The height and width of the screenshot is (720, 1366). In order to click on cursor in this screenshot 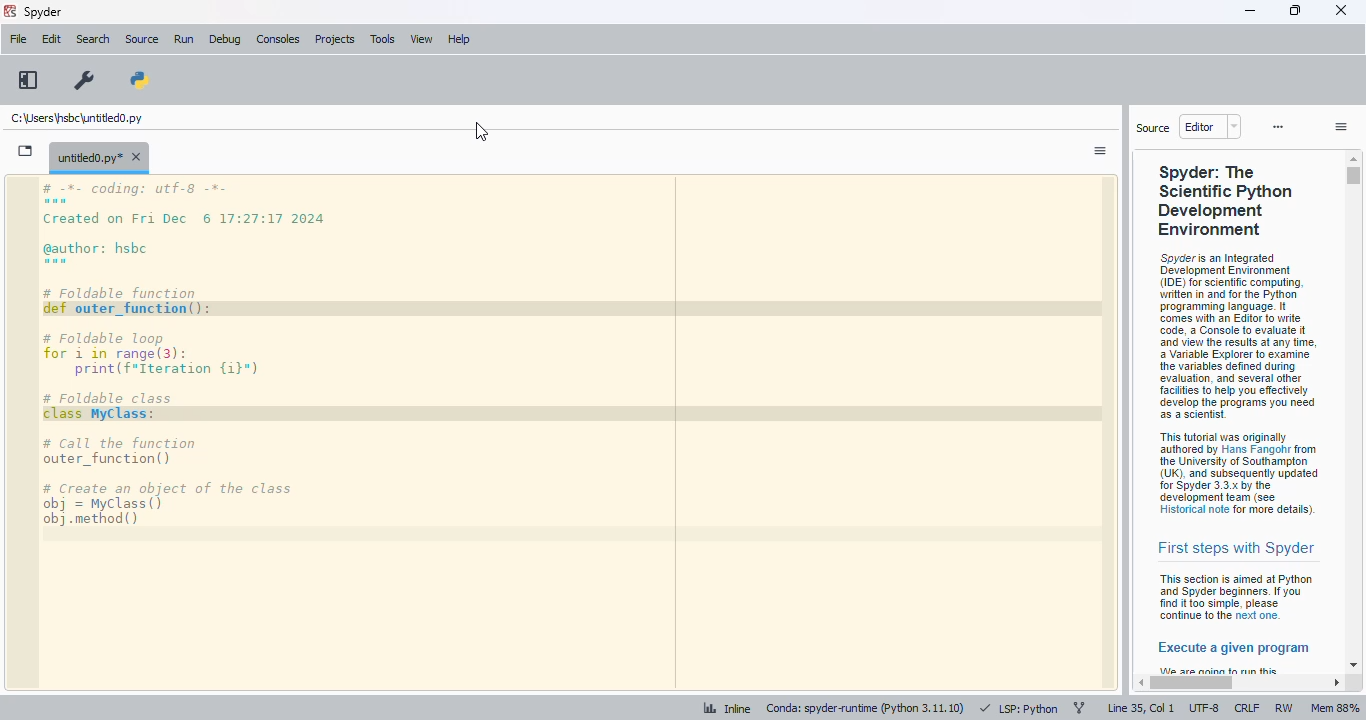, I will do `click(481, 131)`.